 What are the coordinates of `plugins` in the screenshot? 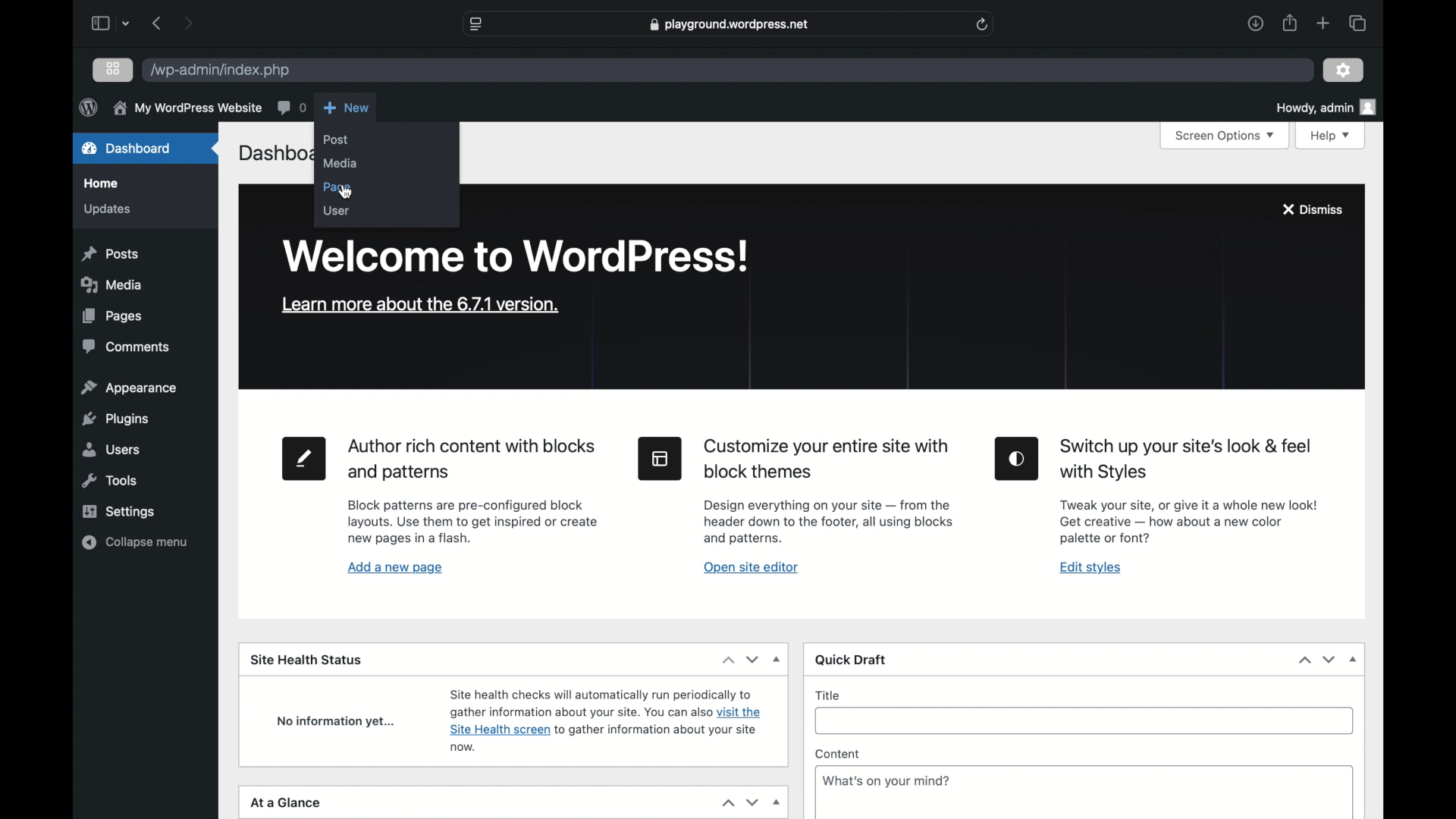 It's located at (115, 419).